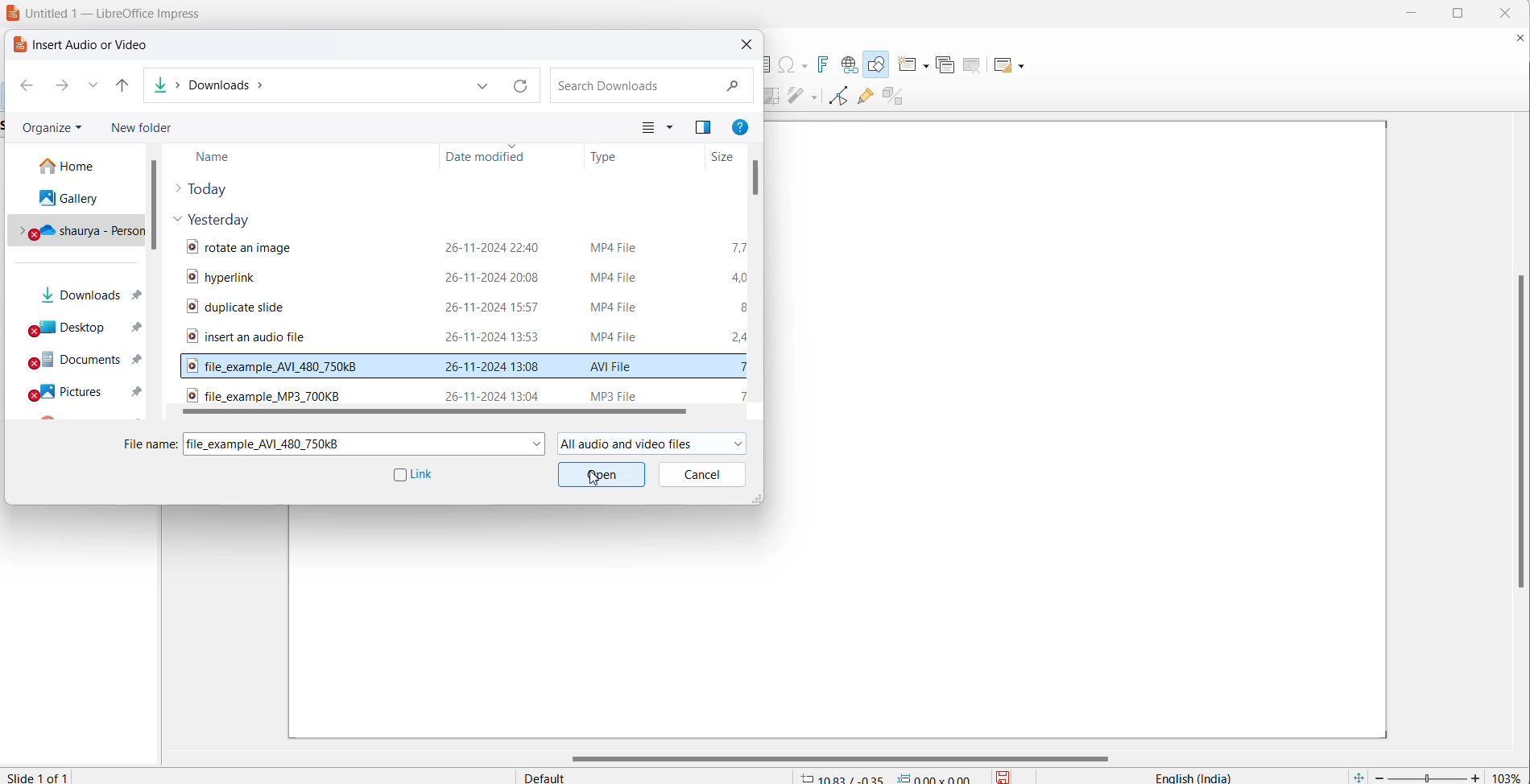 This screenshot has width=1530, height=784. Describe the element at coordinates (145, 126) in the screenshot. I see `new folder` at that location.